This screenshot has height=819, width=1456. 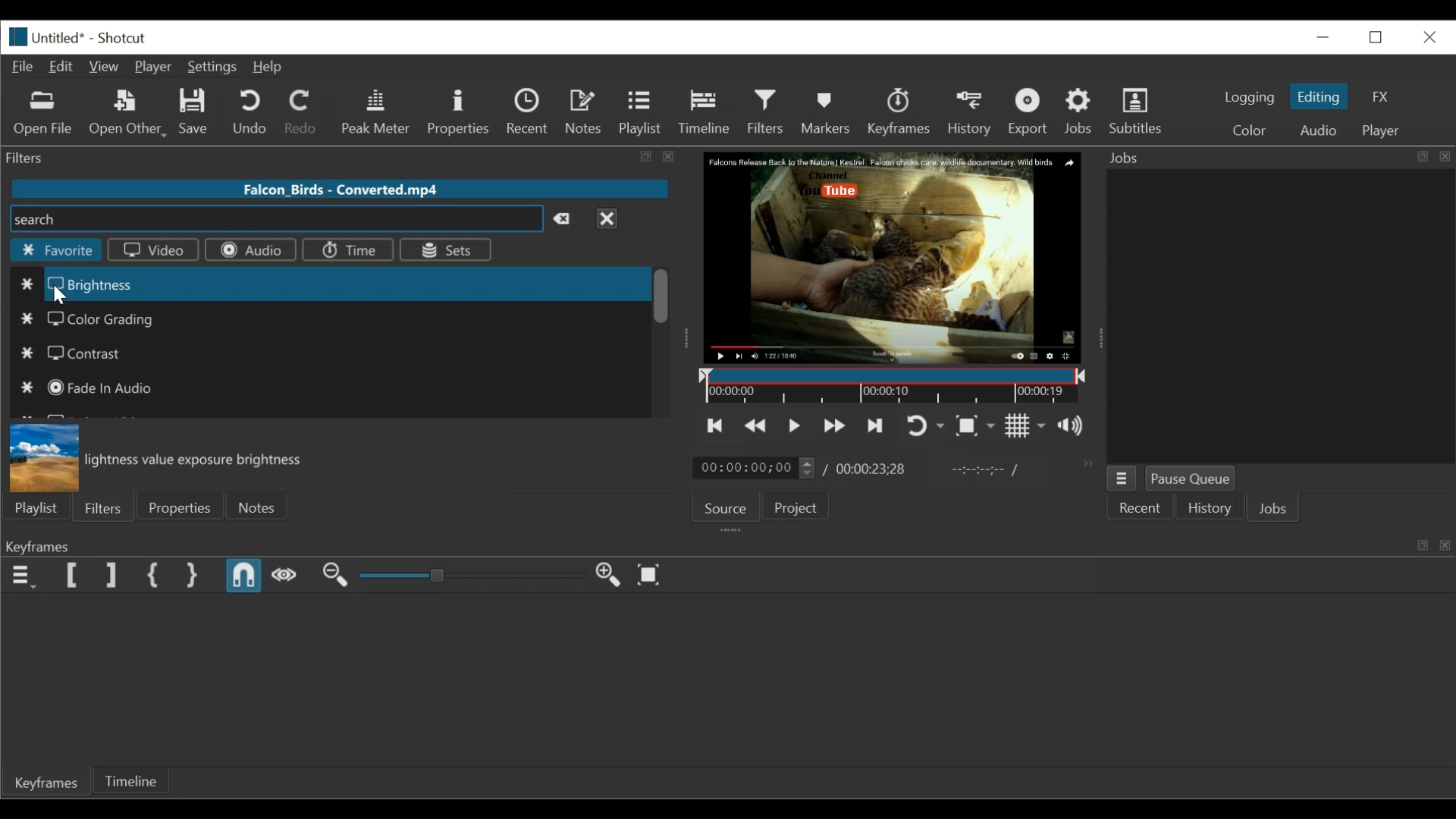 What do you see at coordinates (22, 67) in the screenshot?
I see `File` at bounding box center [22, 67].